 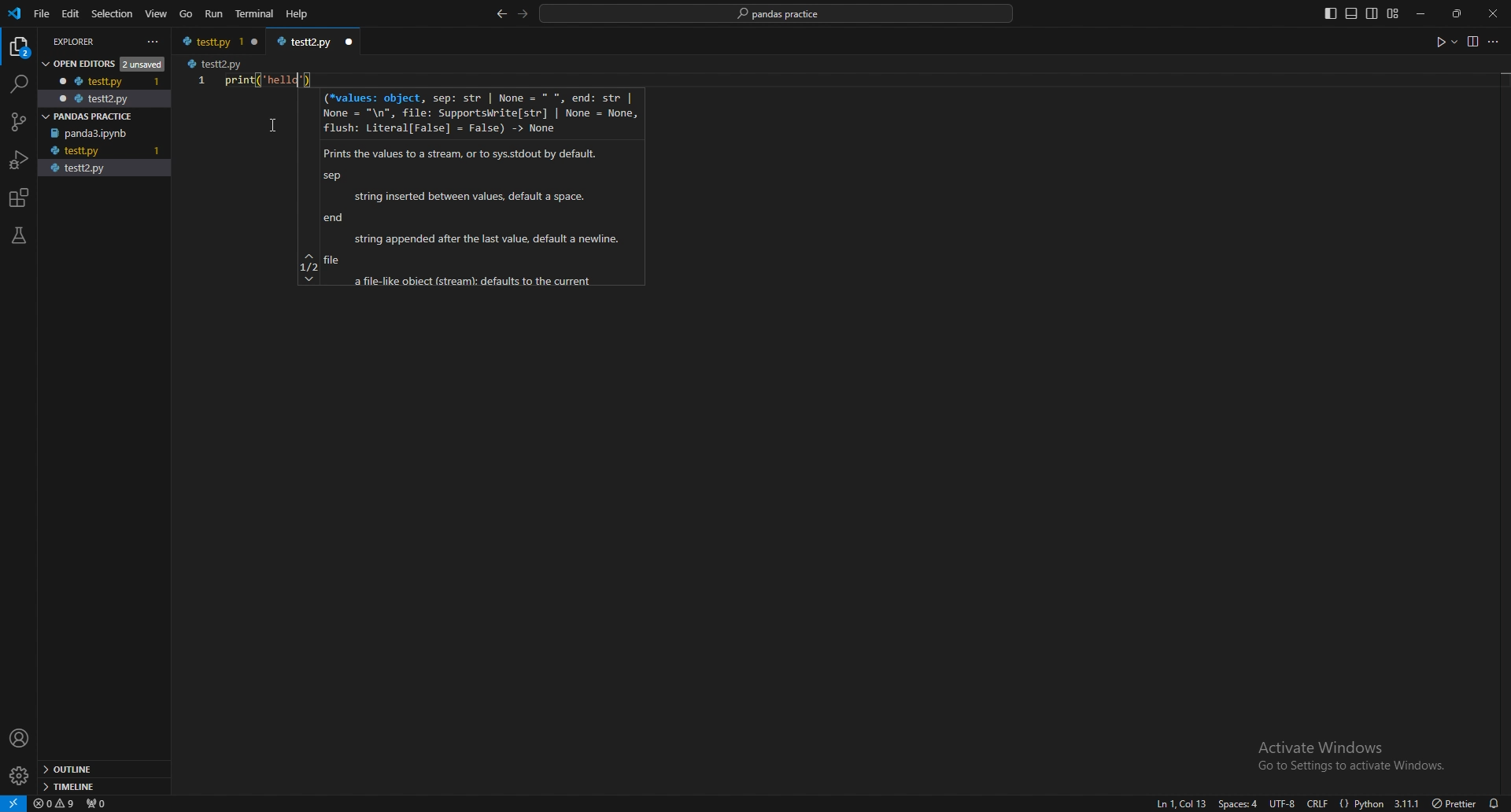 I want to click on pandas practice, so click(x=106, y=116).